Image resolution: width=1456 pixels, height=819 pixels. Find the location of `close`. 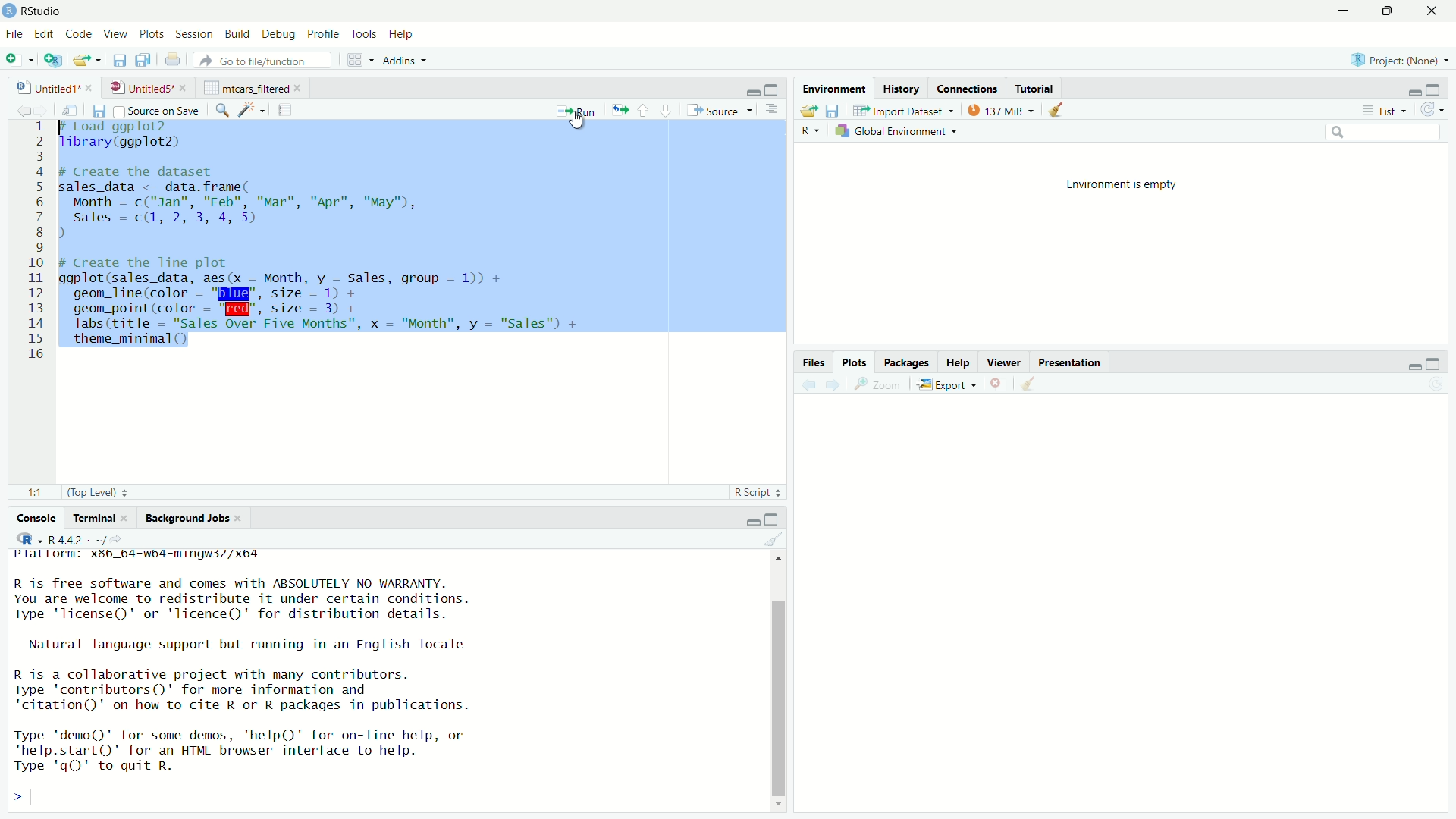

close is located at coordinates (130, 518).